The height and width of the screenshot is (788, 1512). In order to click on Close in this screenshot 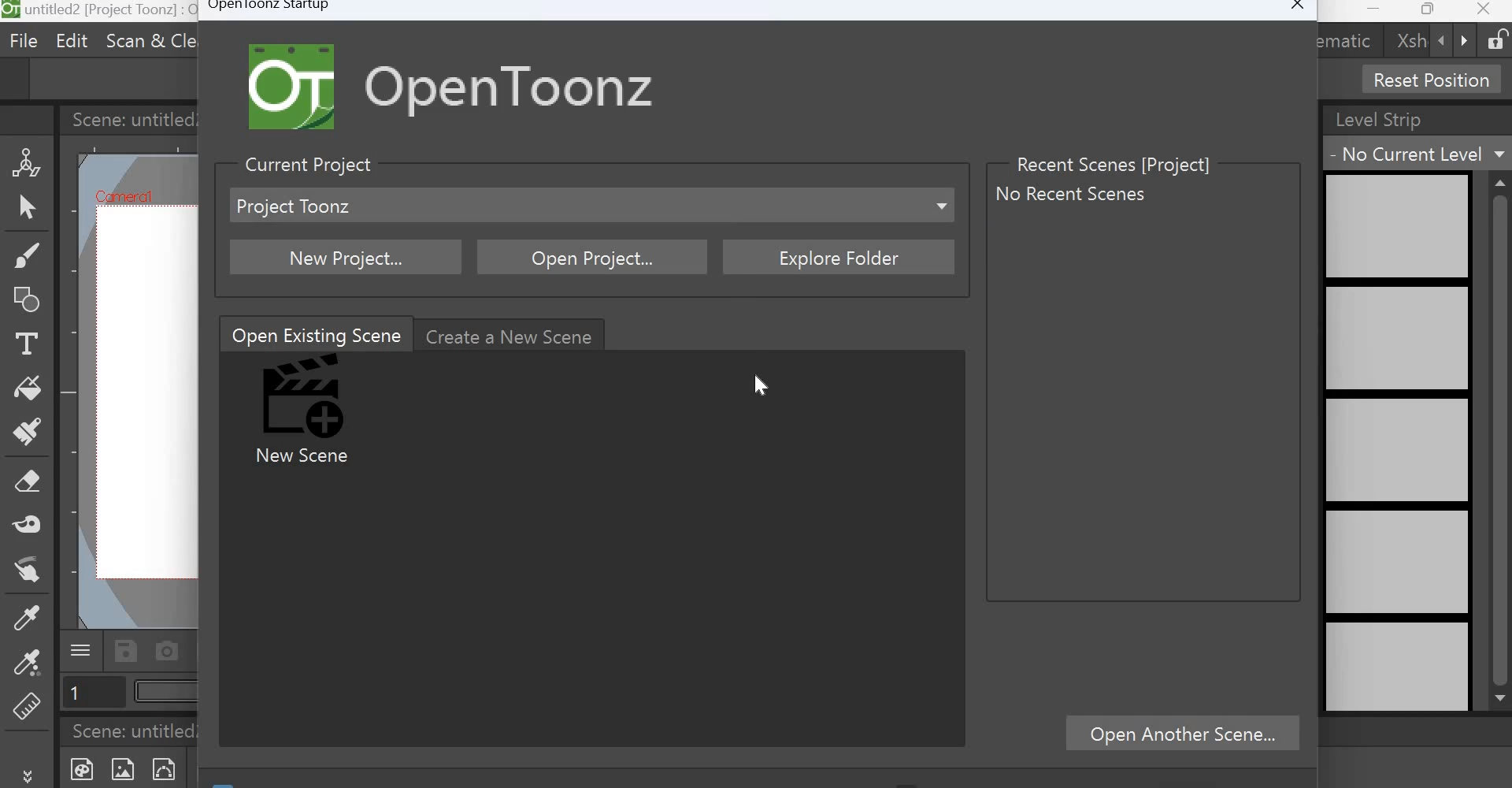, I will do `click(1488, 11)`.